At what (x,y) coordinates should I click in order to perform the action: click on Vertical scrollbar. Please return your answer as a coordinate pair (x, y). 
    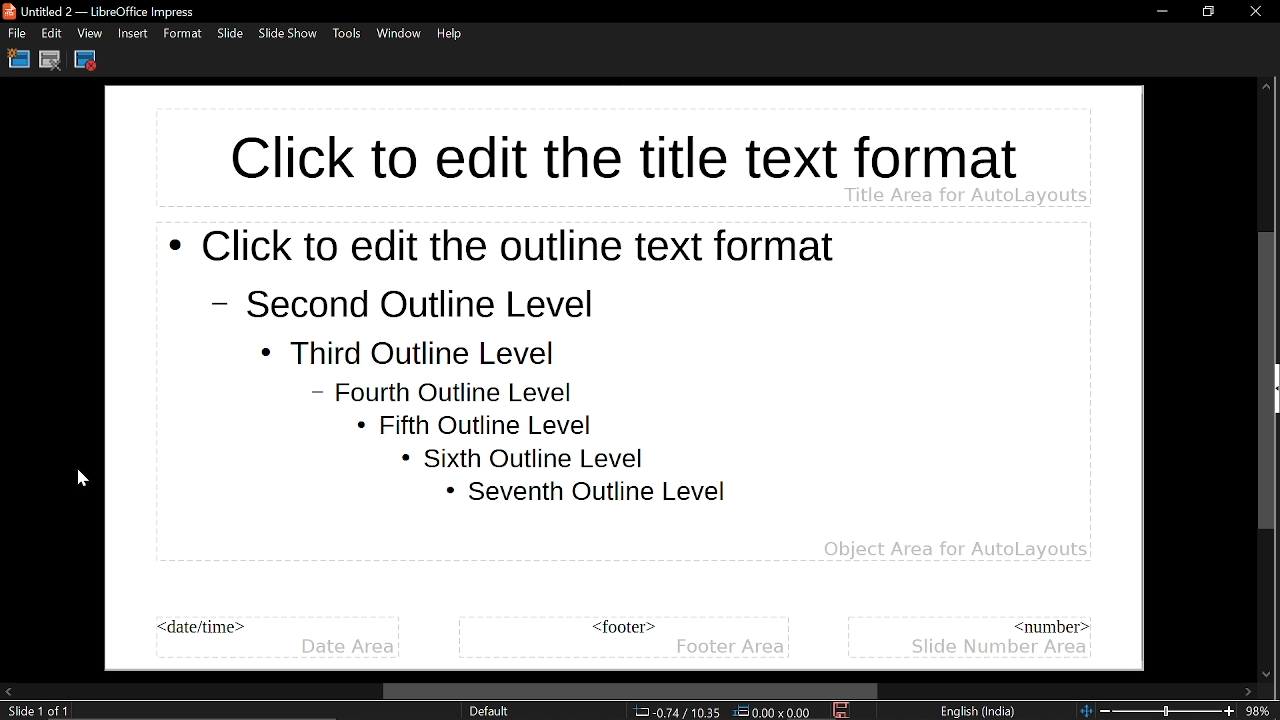
    Looking at the image, I should click on (1266, 365).